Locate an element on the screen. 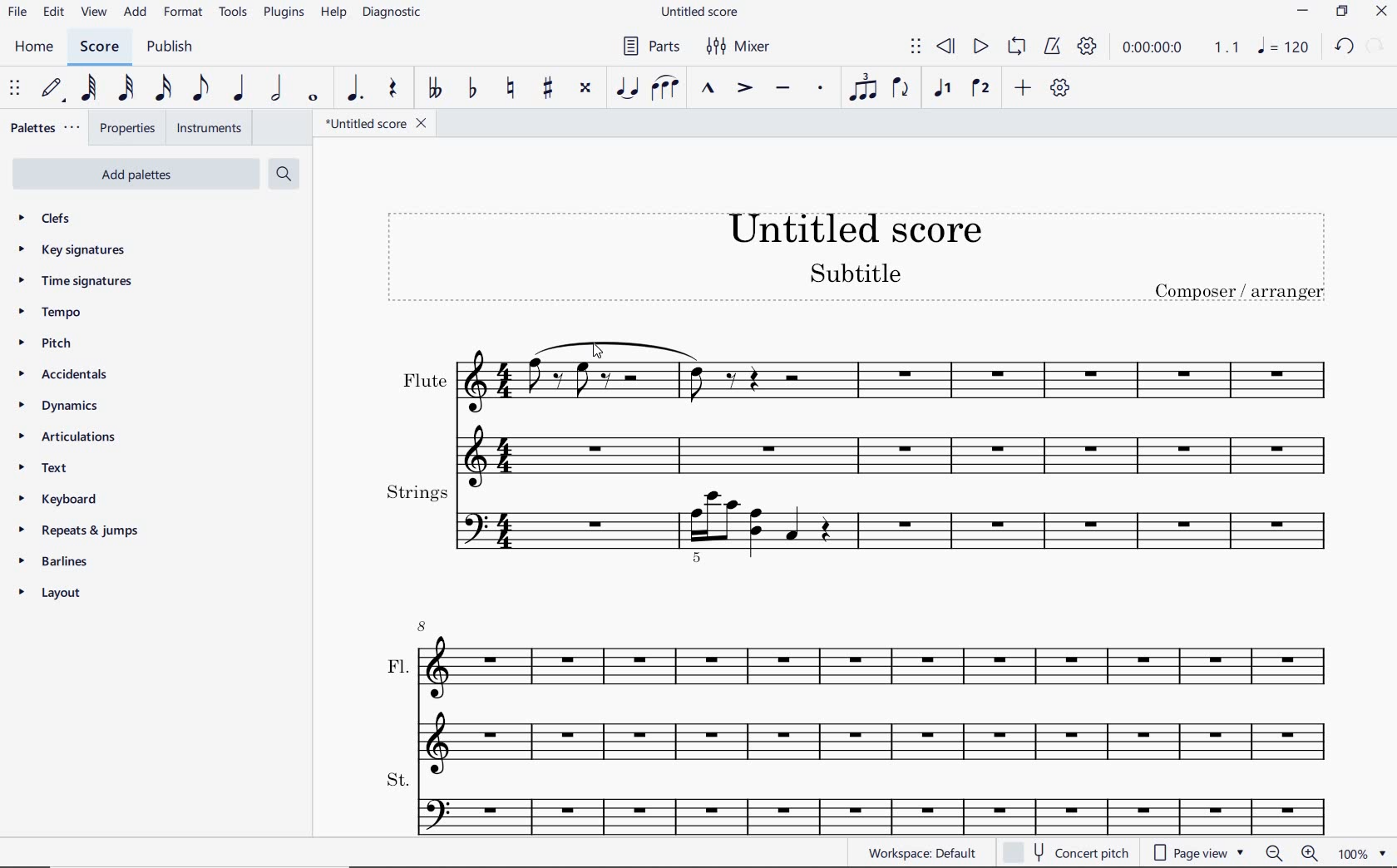 The height and width of the screenshot is (868, 1397). parts is located at coordinates (653, 47).